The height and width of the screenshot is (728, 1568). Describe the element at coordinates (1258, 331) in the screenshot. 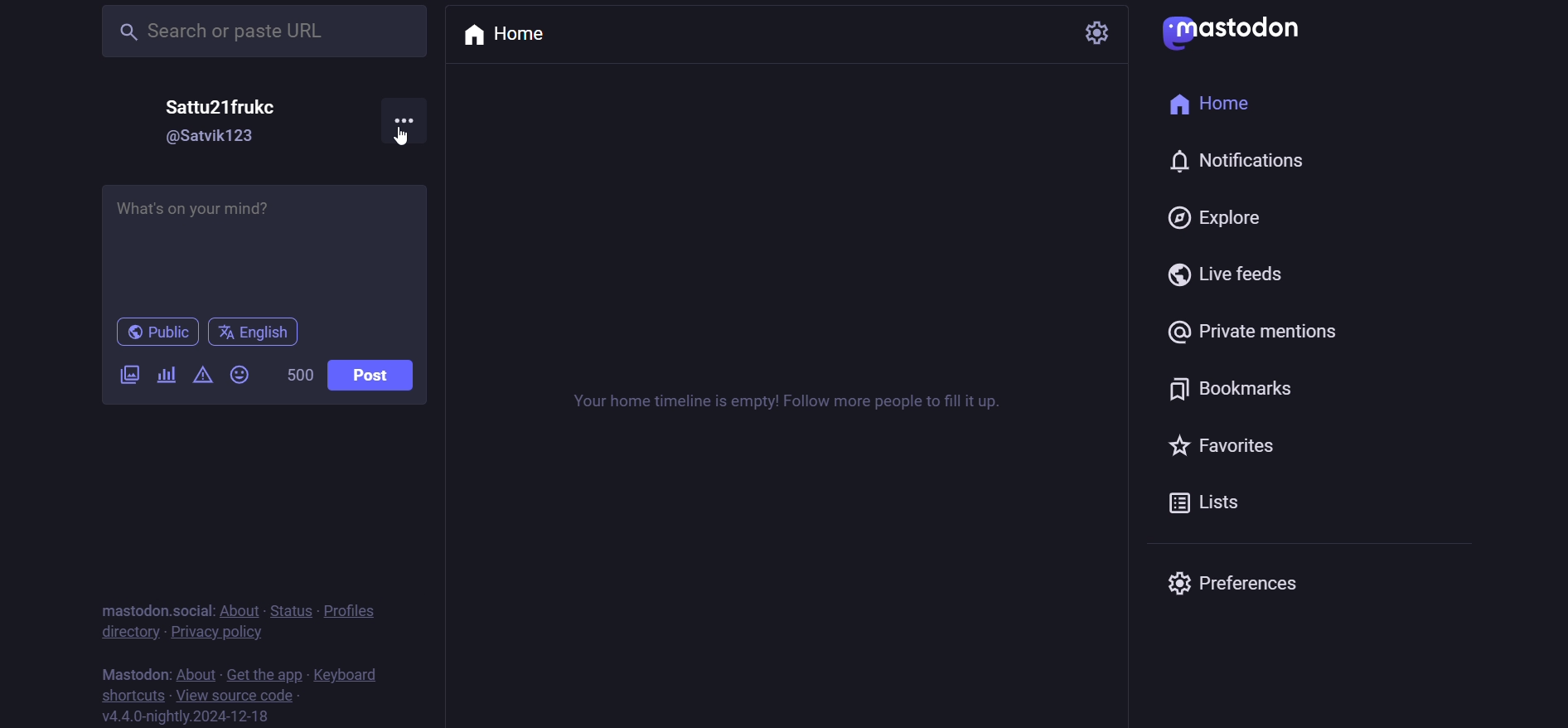

I see `private mention` at that location.